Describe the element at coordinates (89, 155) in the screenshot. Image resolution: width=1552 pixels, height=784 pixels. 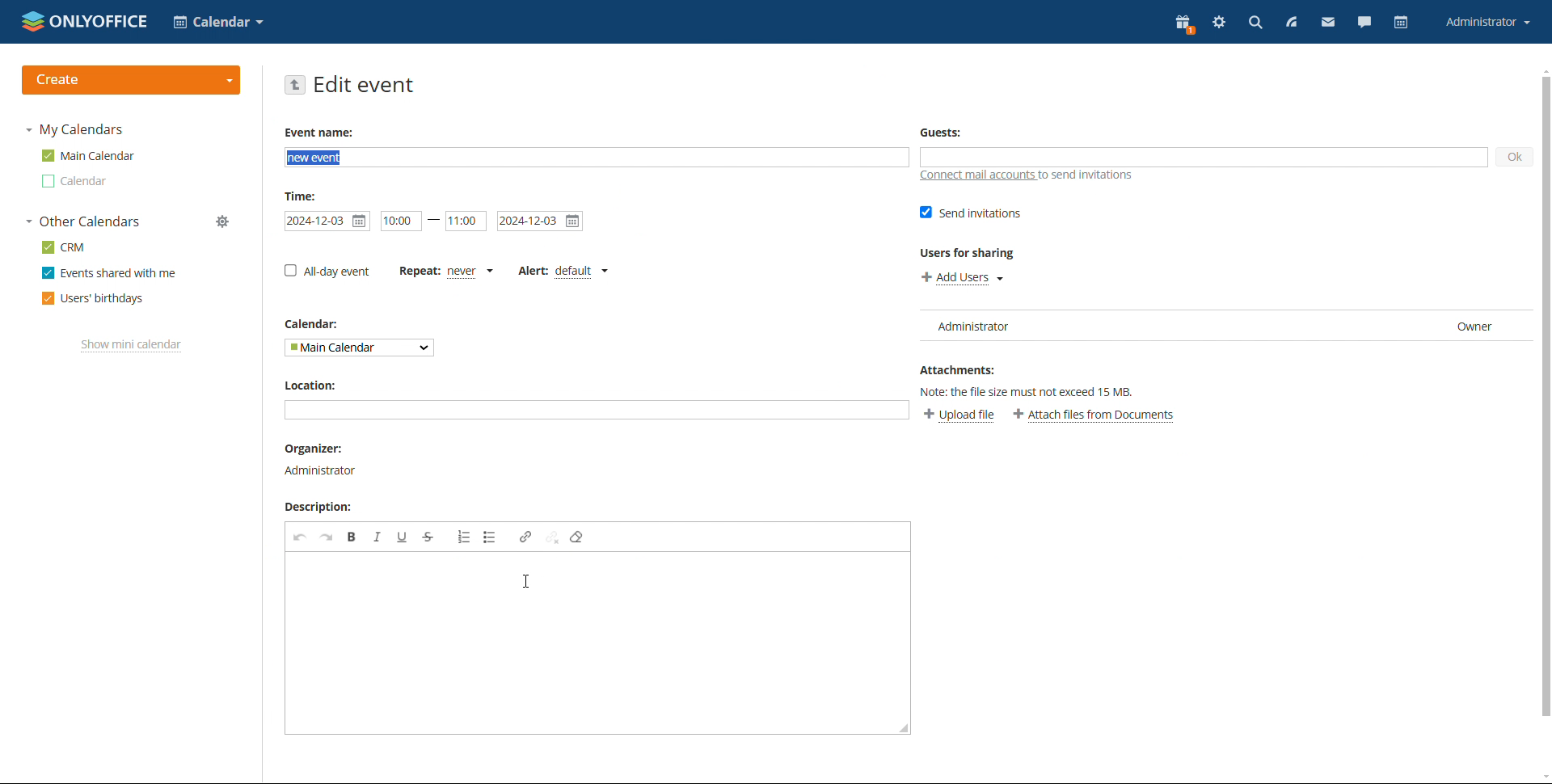
I see `main calendar` at that location.